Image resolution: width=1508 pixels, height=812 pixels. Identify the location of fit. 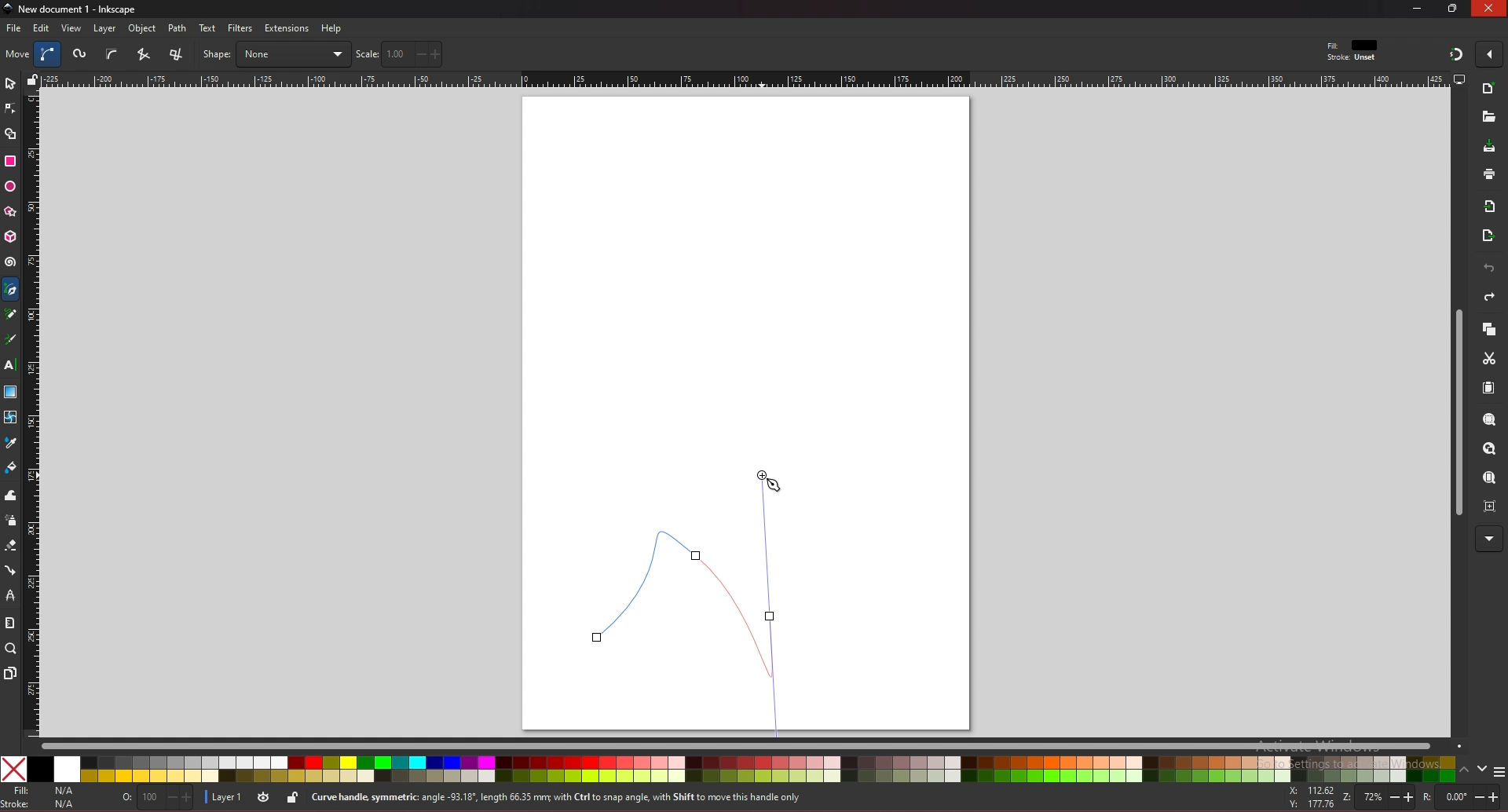
(1354, 46).